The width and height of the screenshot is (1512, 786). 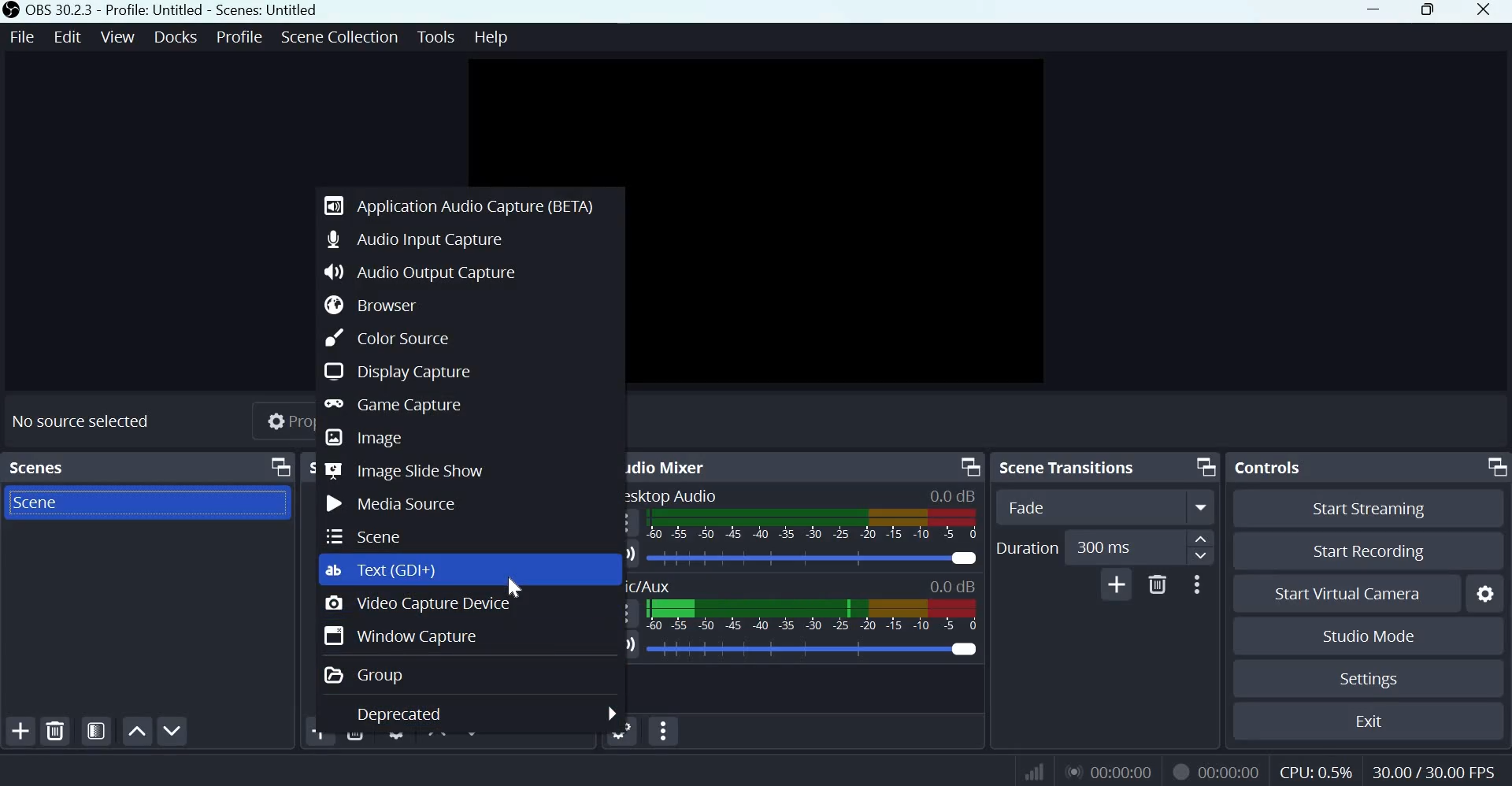 What do you see at coordinates (369, 675) in the screenshot?
I see `Group` at bounding box center [369, 675].